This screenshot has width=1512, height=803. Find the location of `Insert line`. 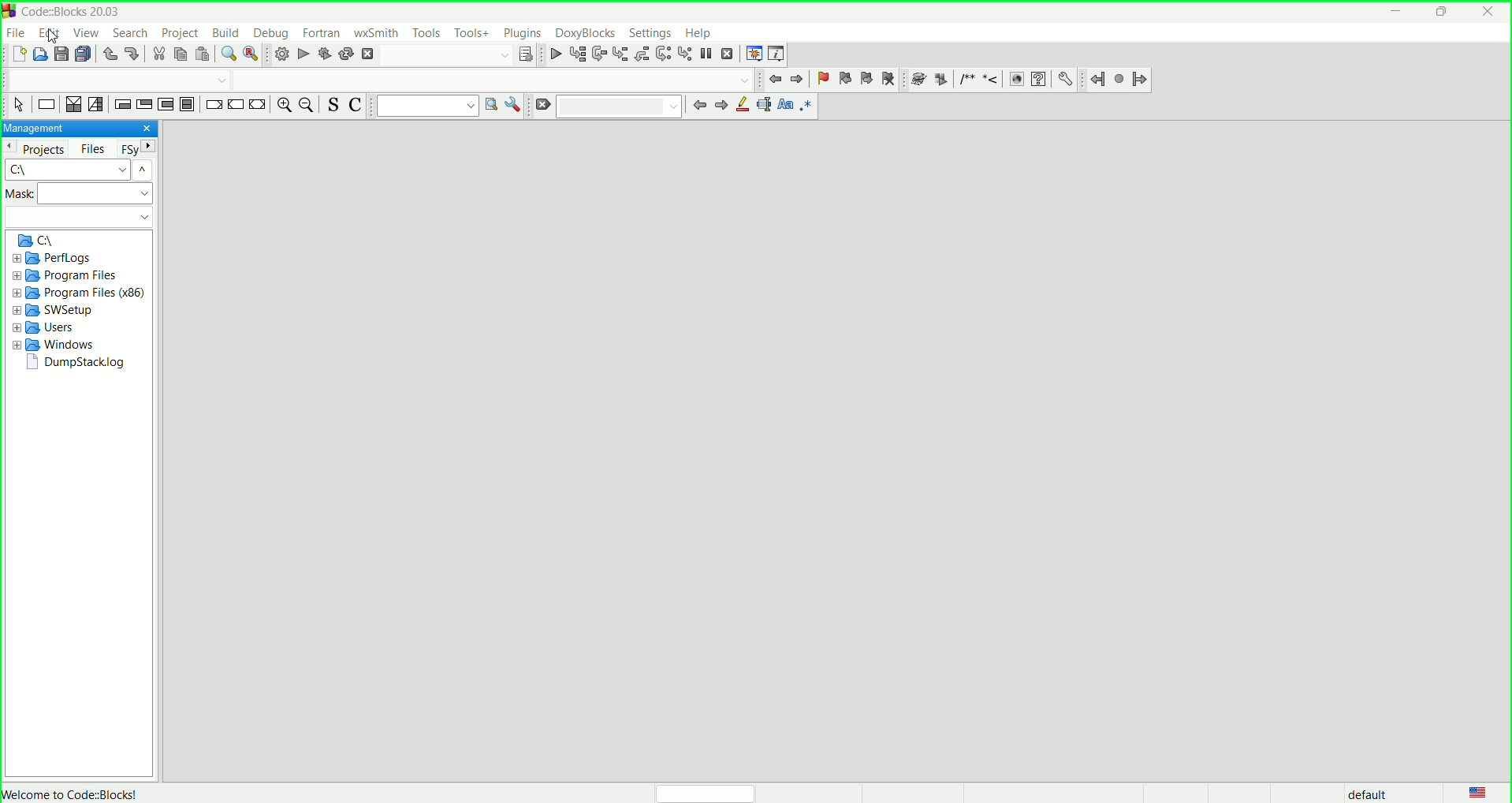

Insert line is located at coordinates (989, 80).